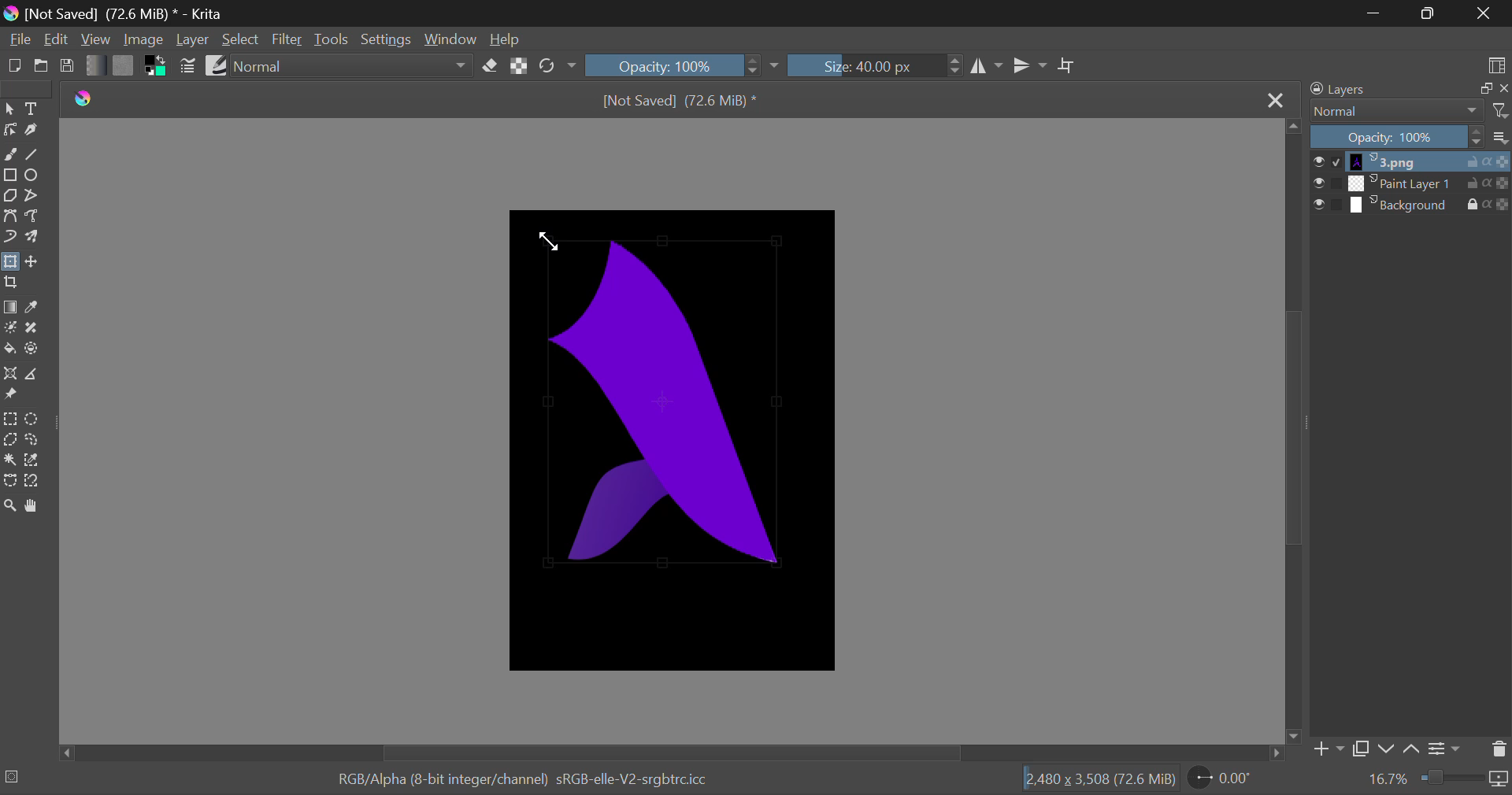  What do you see at coordinates (96, 39) in the screenshot?
I see `View` at bounding box center [96, 39].